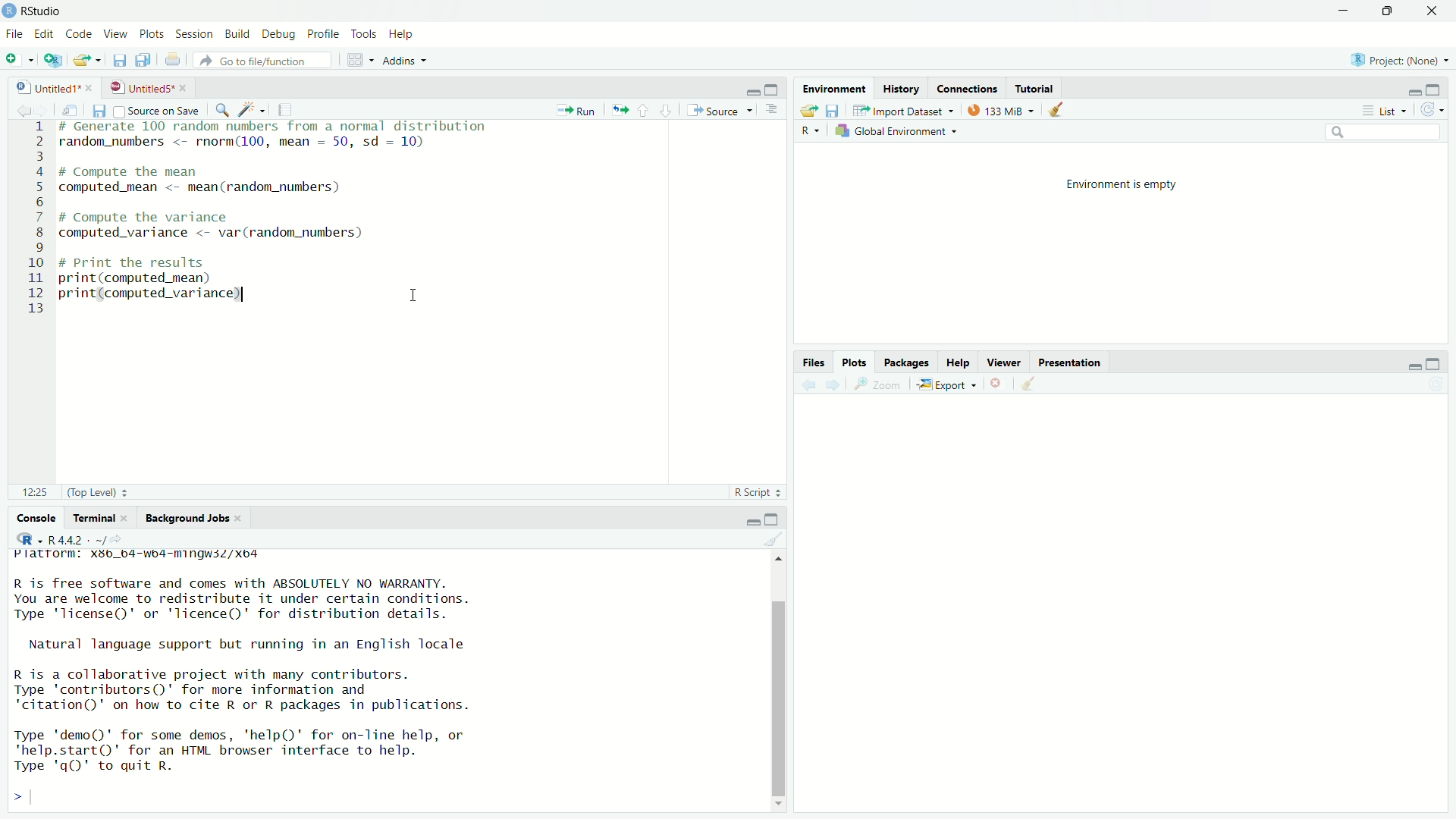 This screenshot has width=1456, height=819. I want to click on plots, so click(153, 35).